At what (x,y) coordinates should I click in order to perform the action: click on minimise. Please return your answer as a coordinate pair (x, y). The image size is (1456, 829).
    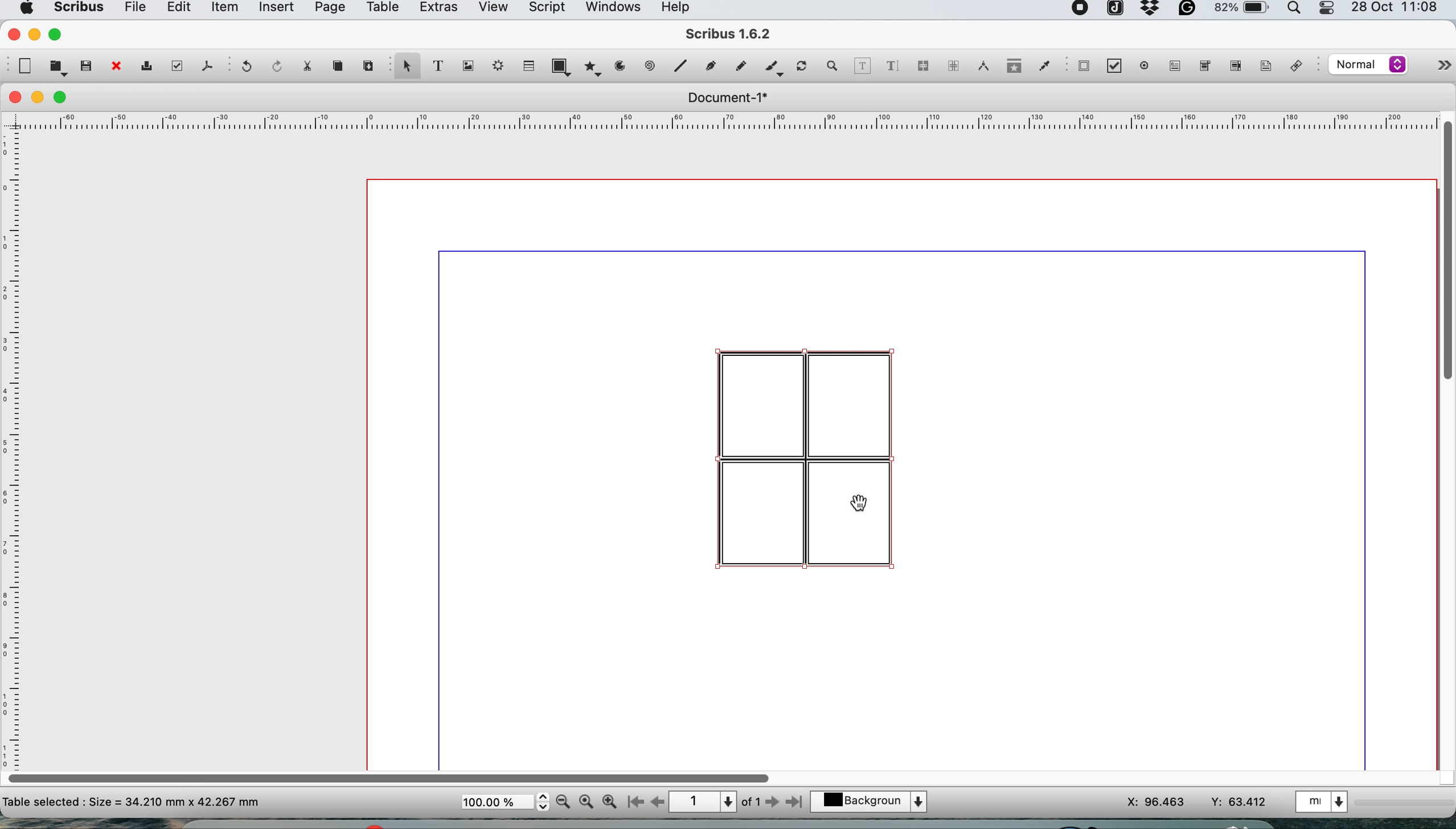
    Looking at the image, I should click on (39, 98).